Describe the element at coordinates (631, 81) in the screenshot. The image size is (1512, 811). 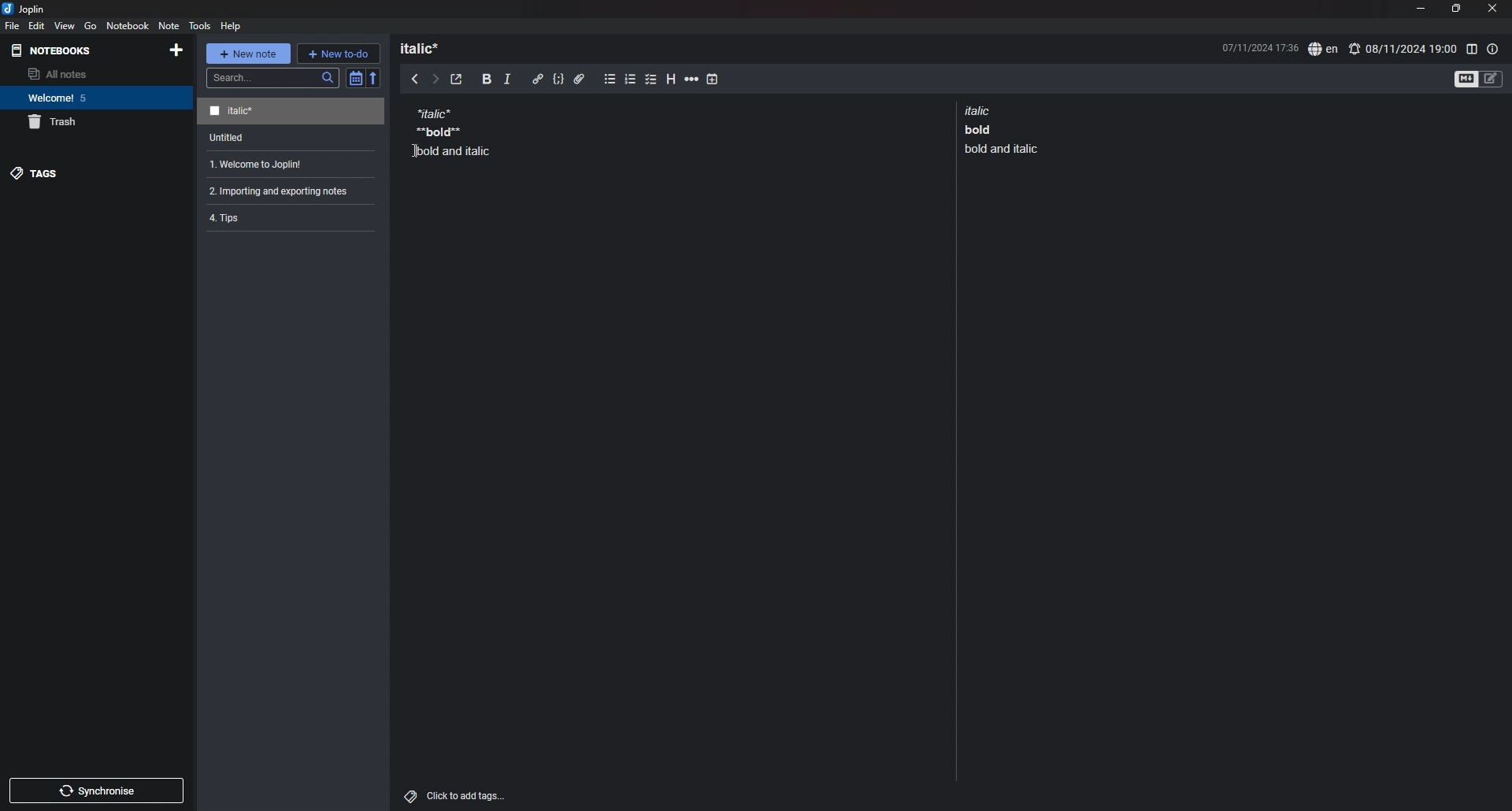
I see `numbered list` at that location.